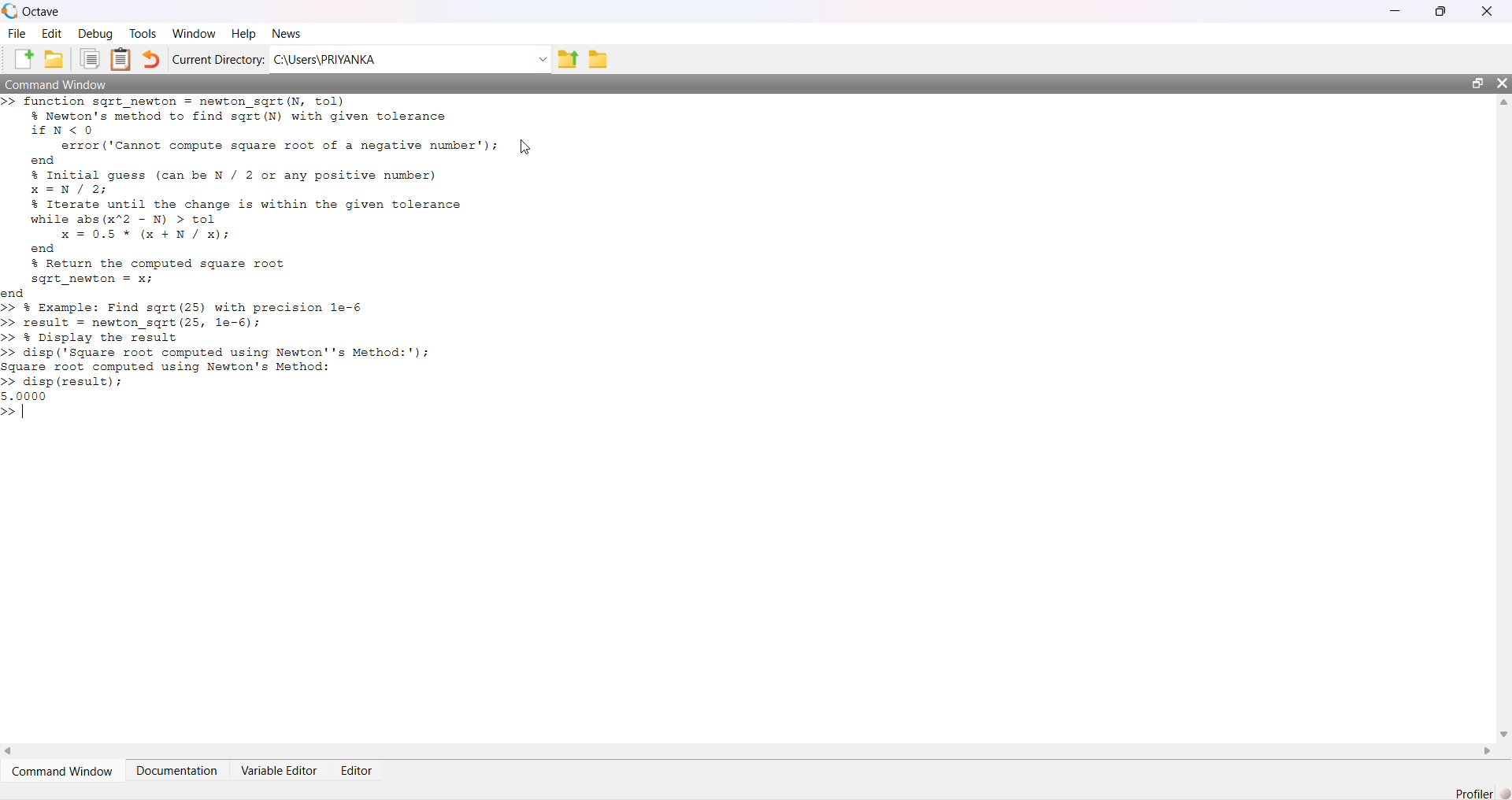 The width and height of the screenshot is (1512, 800). Describe the element at coordinates (220, 59) in the screenshot. I see `Current Directory:` at that location.